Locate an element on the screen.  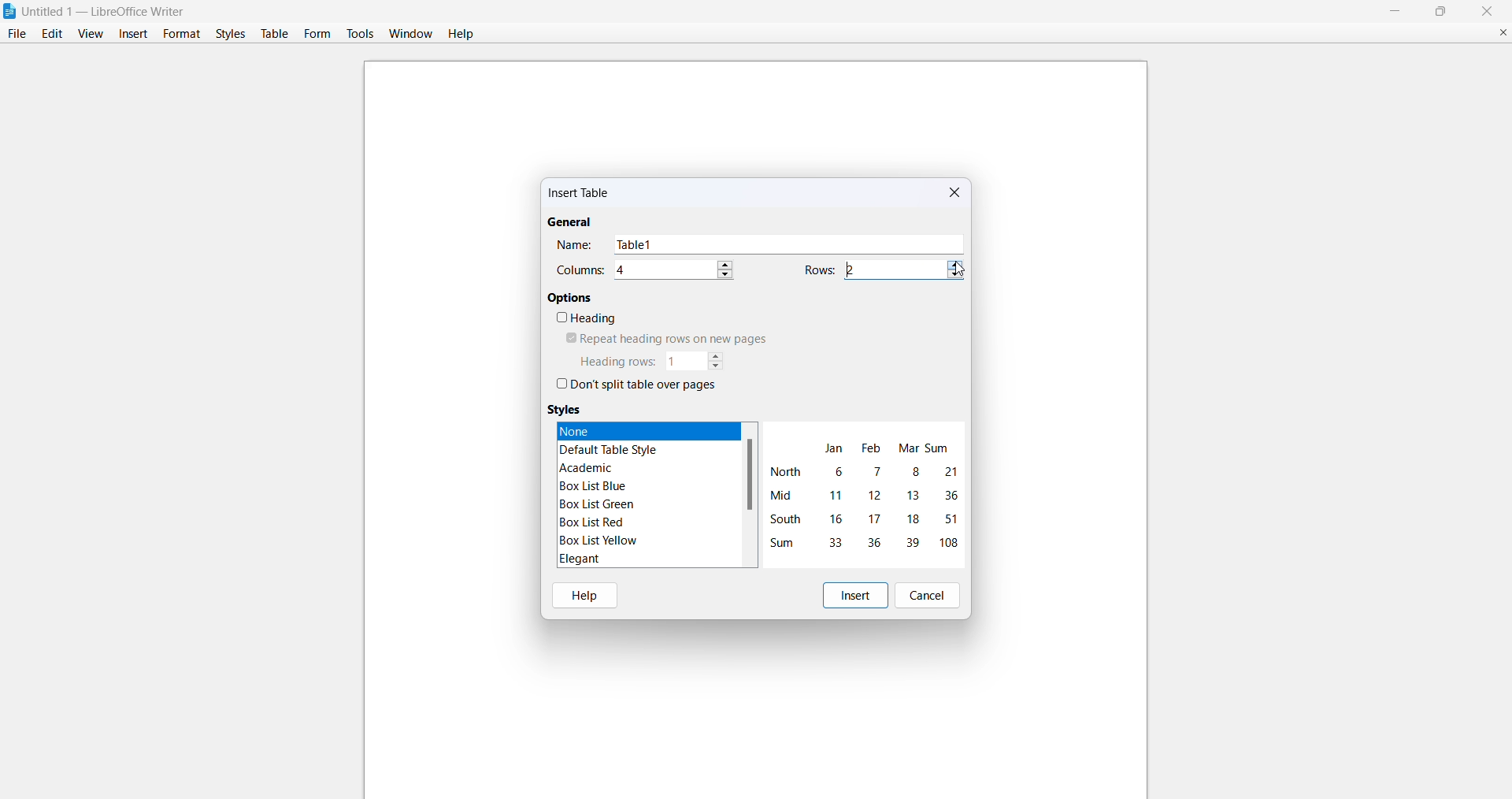
cancel is located at coordinates (931, 595).